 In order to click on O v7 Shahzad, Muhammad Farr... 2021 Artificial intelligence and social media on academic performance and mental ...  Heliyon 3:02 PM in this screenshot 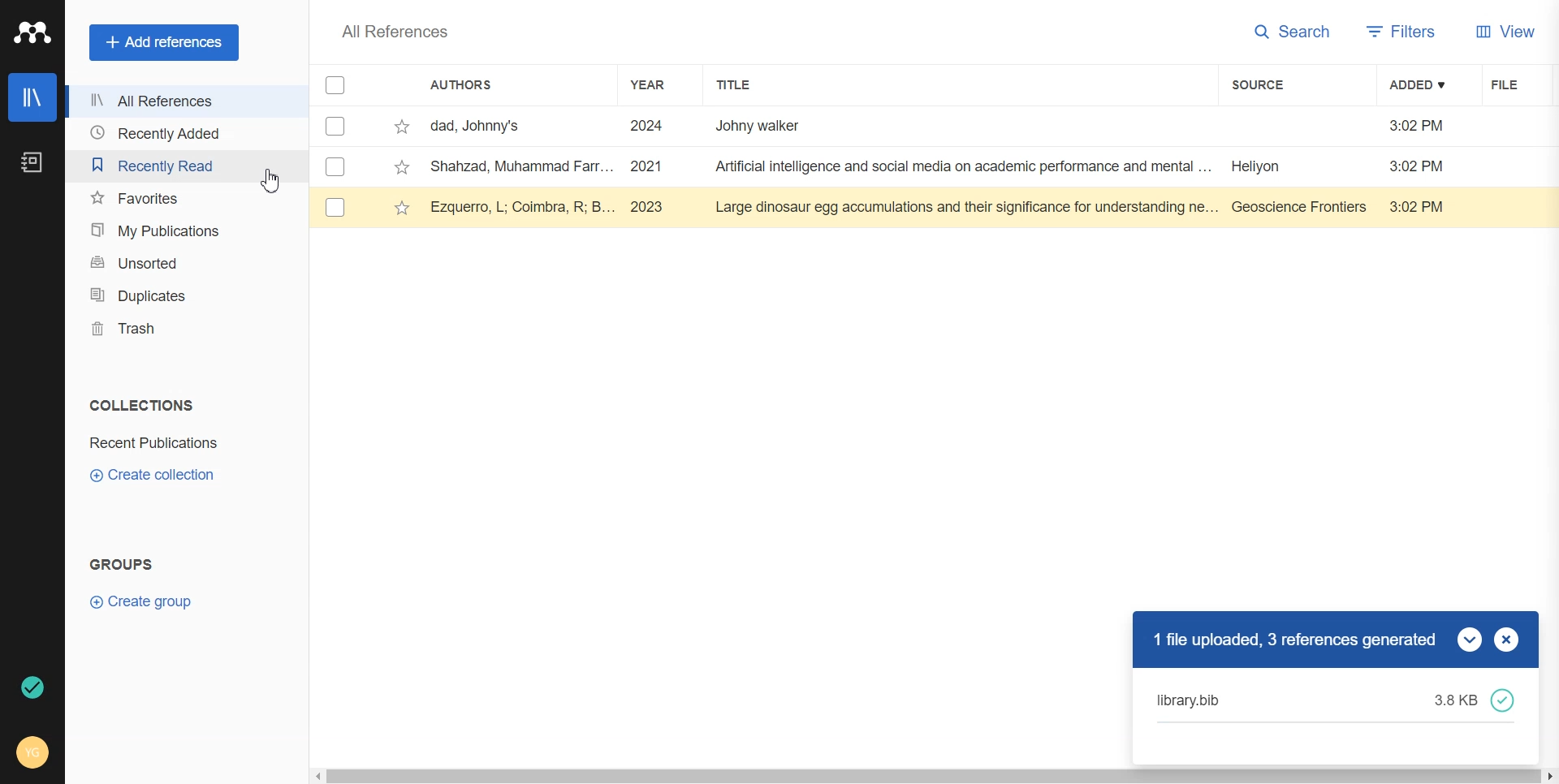, I will do `click(896, 169)`.